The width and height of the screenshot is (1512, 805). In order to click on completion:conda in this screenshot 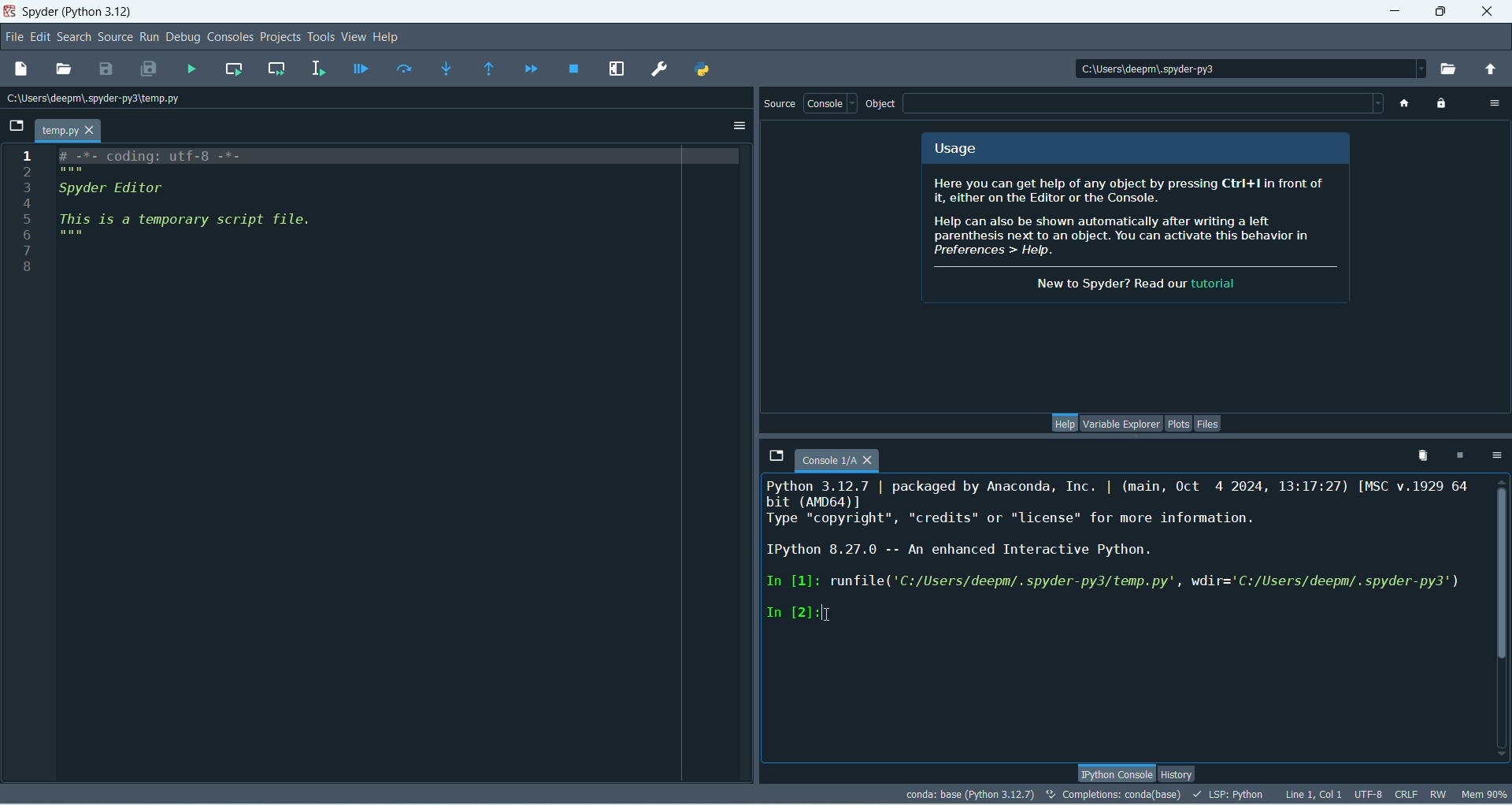, I will do `click(1113, 794)`.